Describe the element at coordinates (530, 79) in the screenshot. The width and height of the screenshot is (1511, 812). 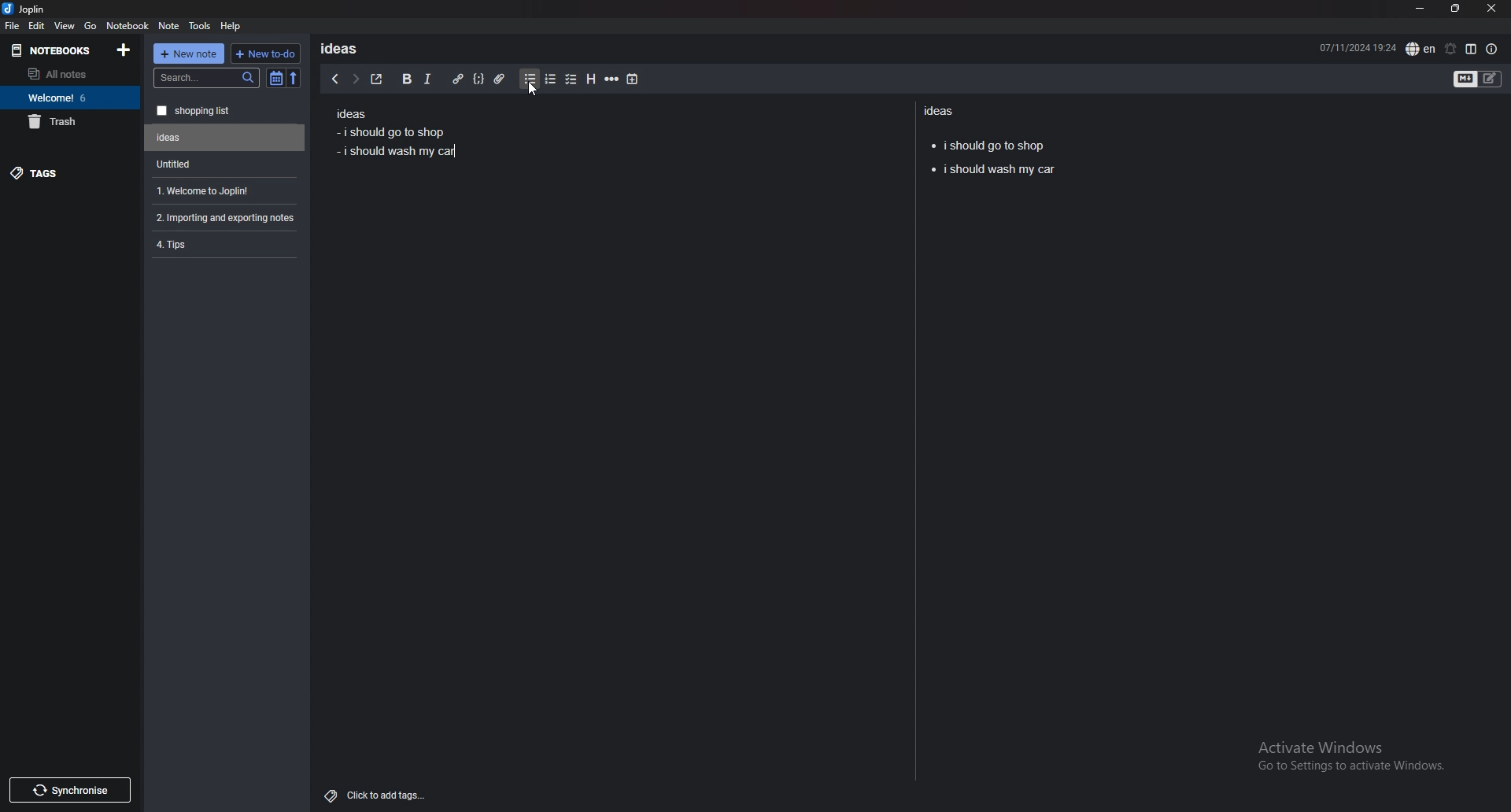
I see `bullet list` at that location.